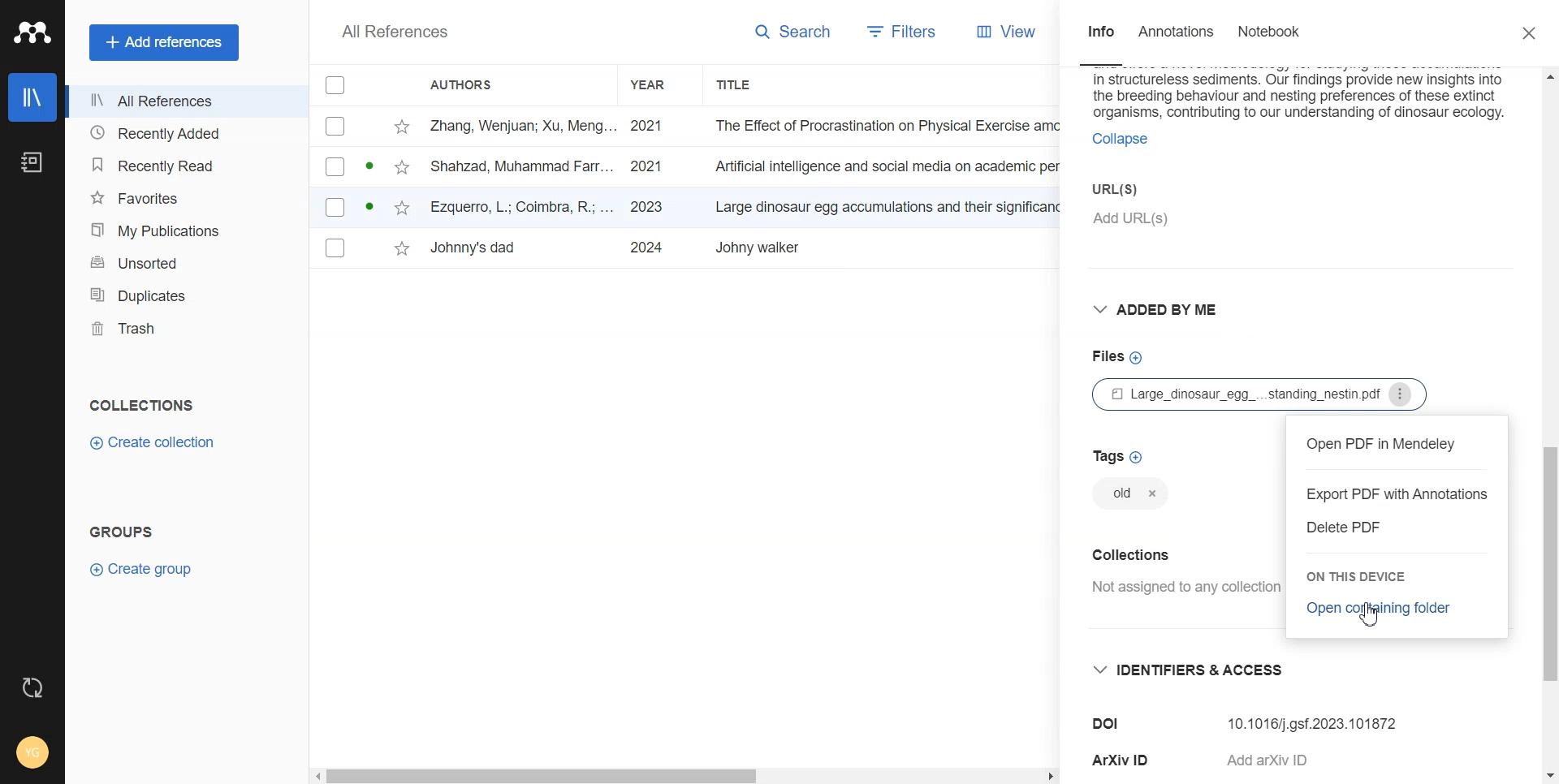 This screenshot has height=784, width=1559. Describe the element at coordinates (120, 531) in the screenshot. I see `Groups` at that location.